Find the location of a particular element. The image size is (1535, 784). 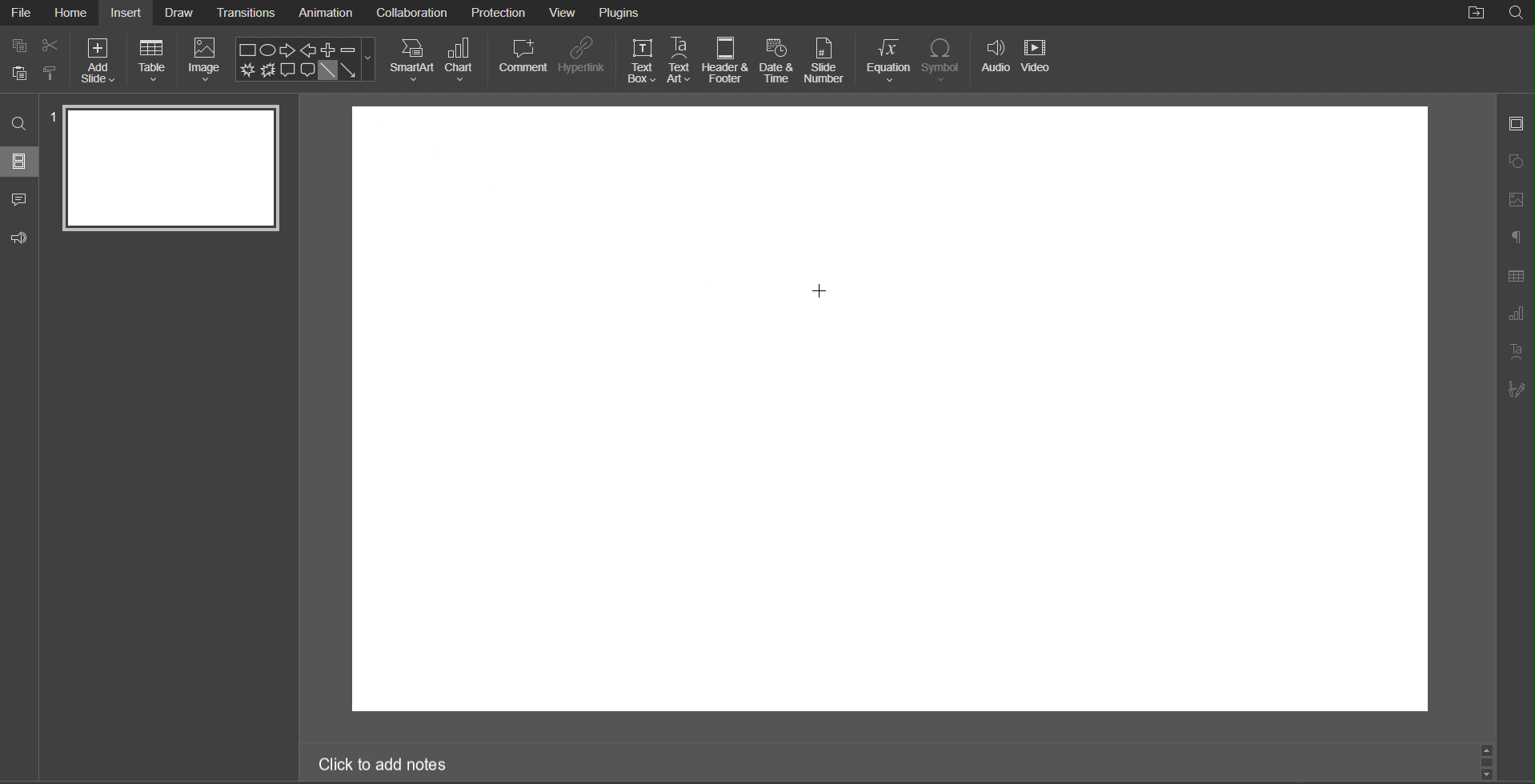

Slide Number  is located at coordinates (826, 59).